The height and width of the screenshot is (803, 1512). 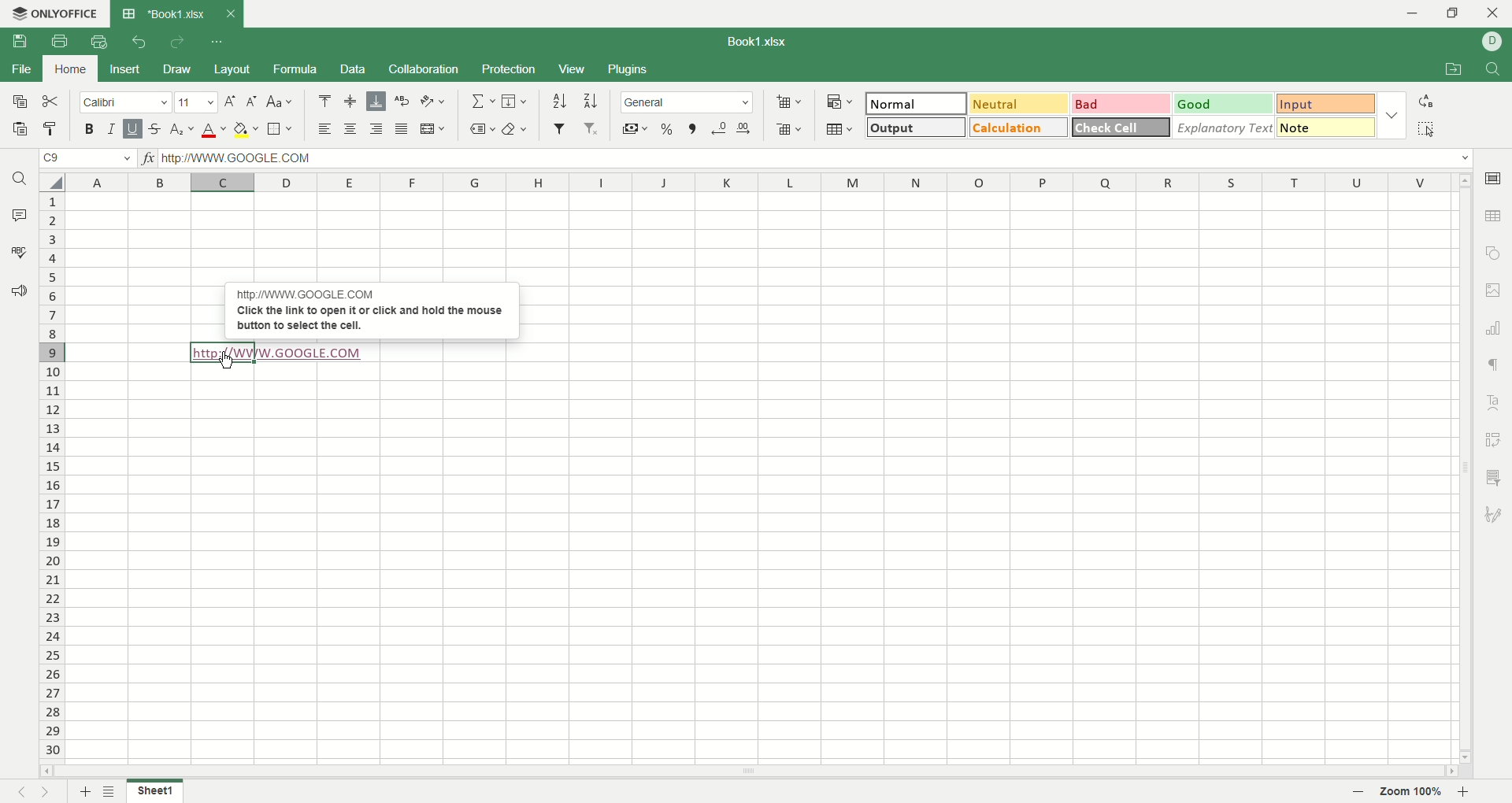 What do you see at coordinates (19, 102) in the screenshot?
I see `copy` at bounding box center [19, 102].